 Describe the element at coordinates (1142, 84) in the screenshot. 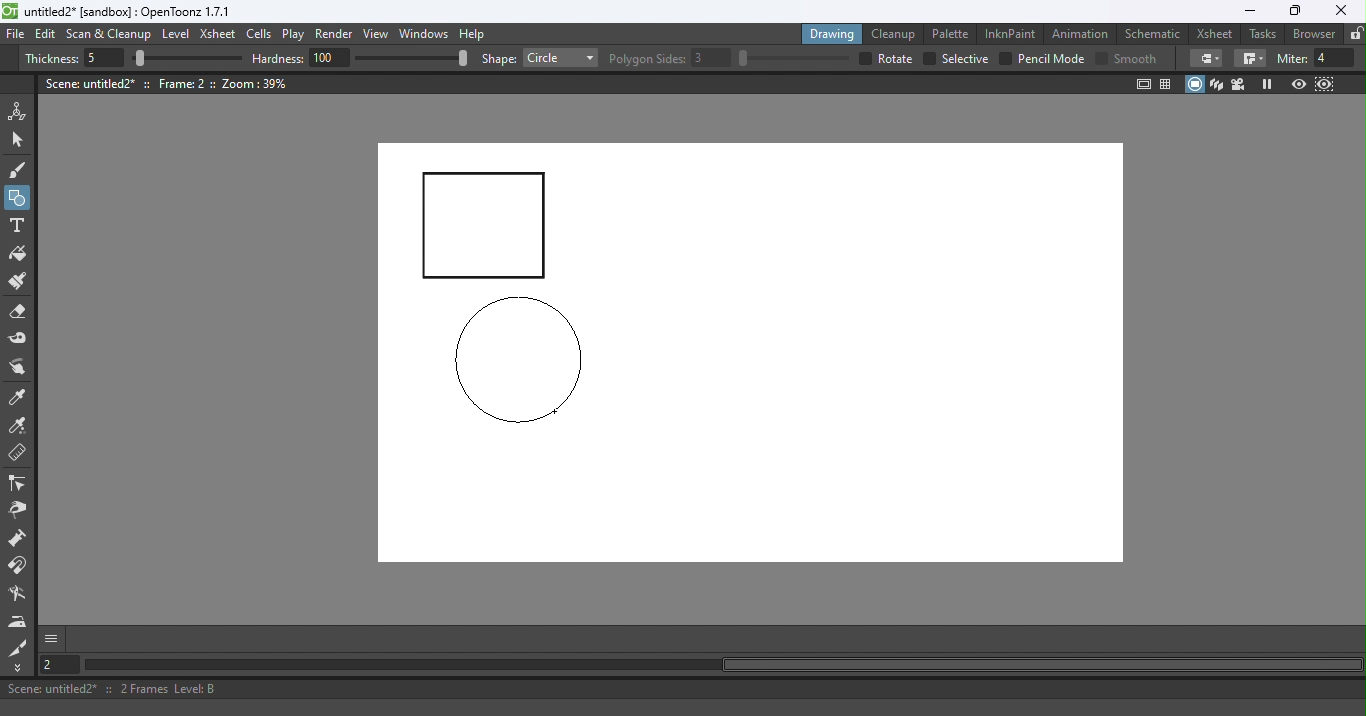

I see `Safe area` at that location.